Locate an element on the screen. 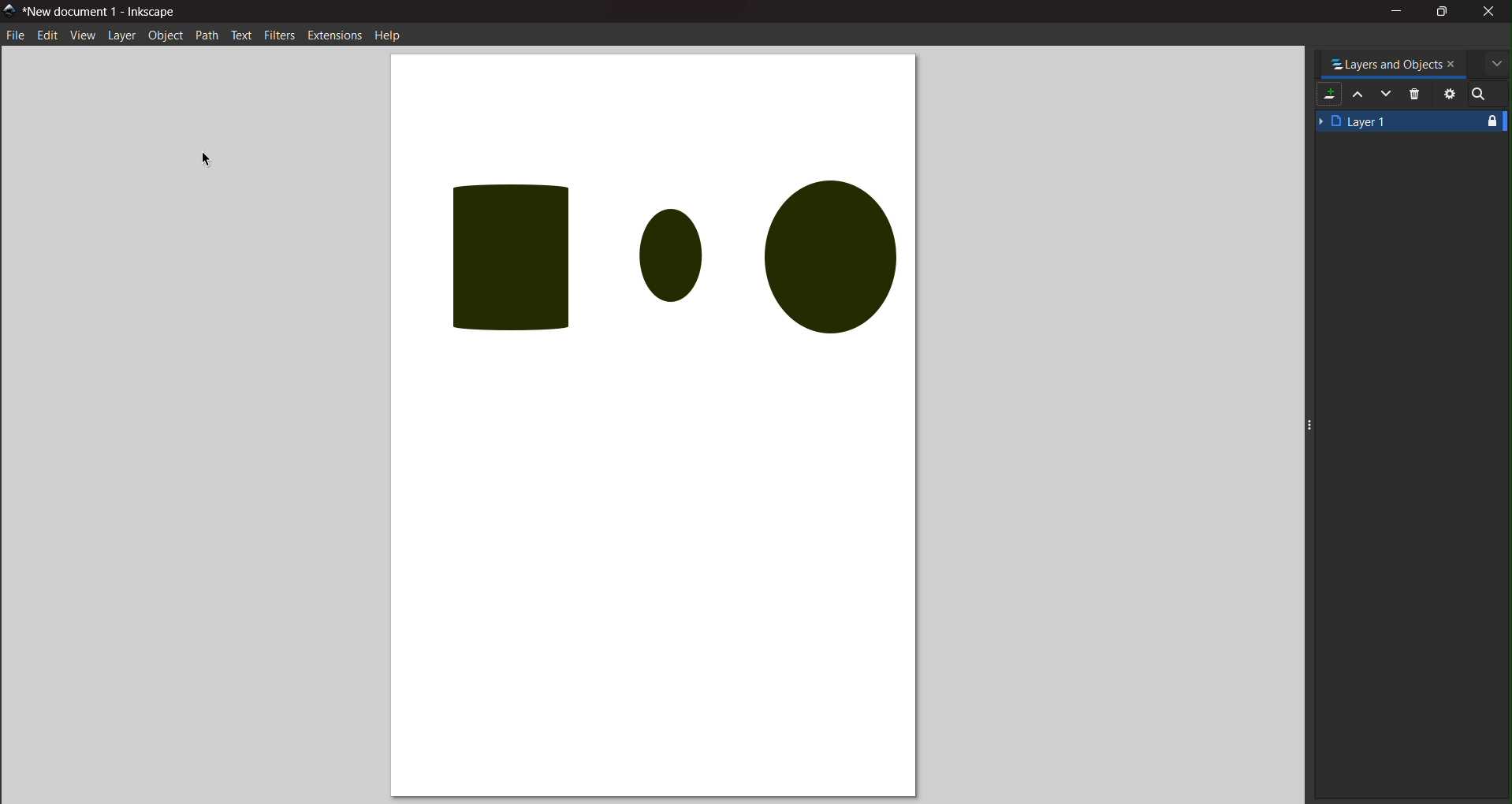  help is located at coordinates (387, 38).